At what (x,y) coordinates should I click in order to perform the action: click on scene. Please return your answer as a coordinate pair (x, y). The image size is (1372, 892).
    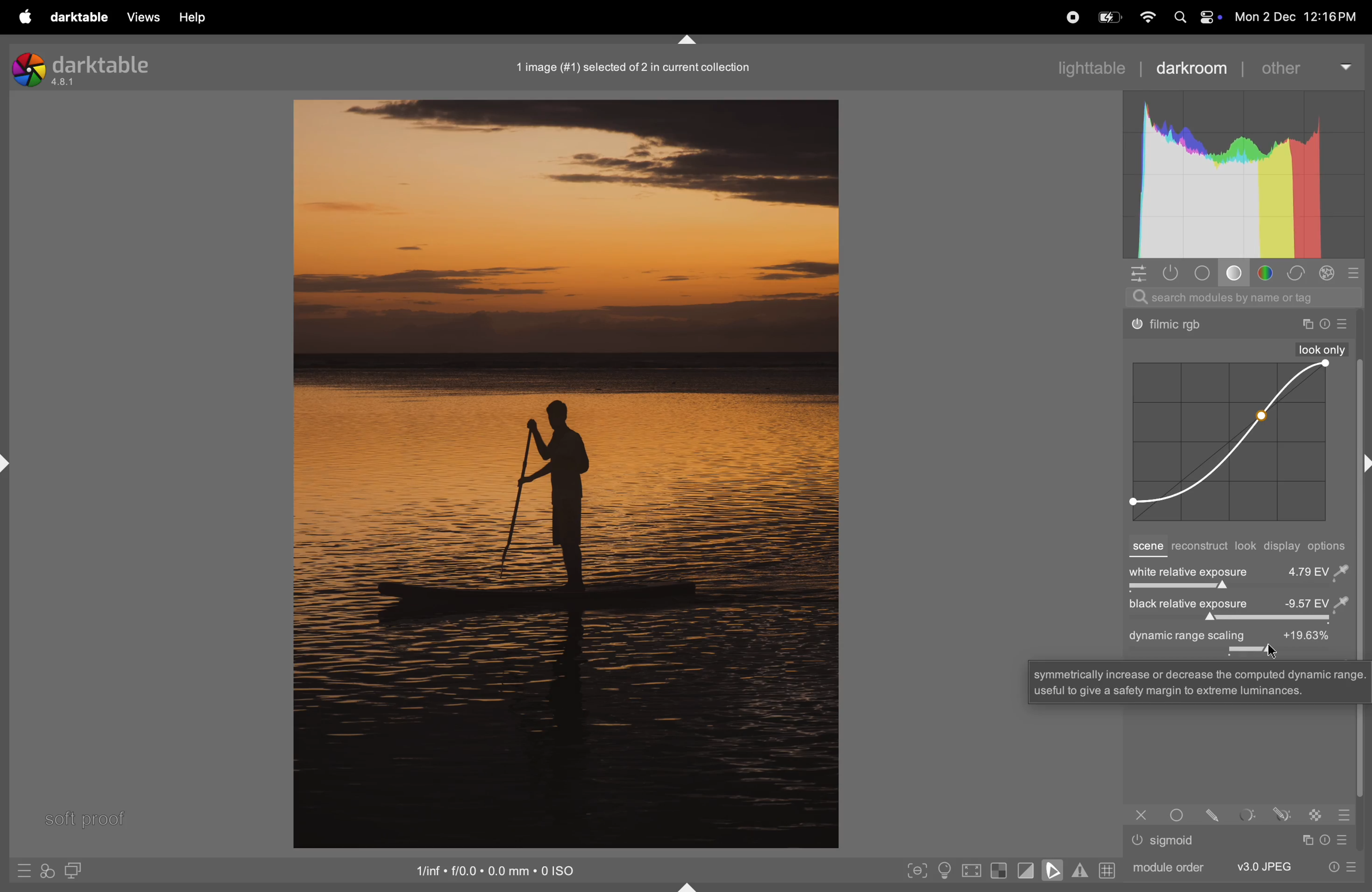
    Looking at the image, I should click on (1146, 547).